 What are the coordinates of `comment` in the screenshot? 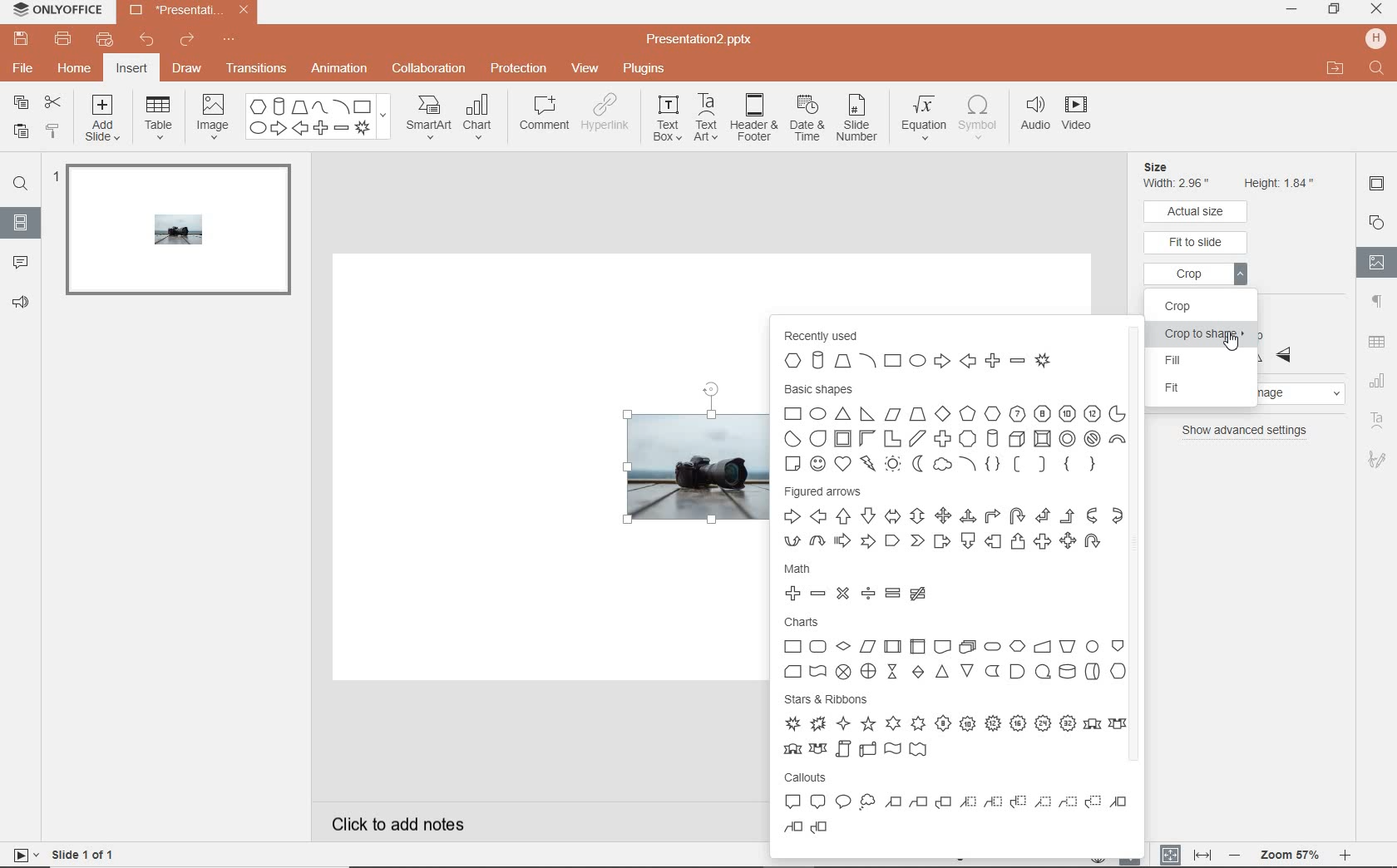 It's located at (545, 116).